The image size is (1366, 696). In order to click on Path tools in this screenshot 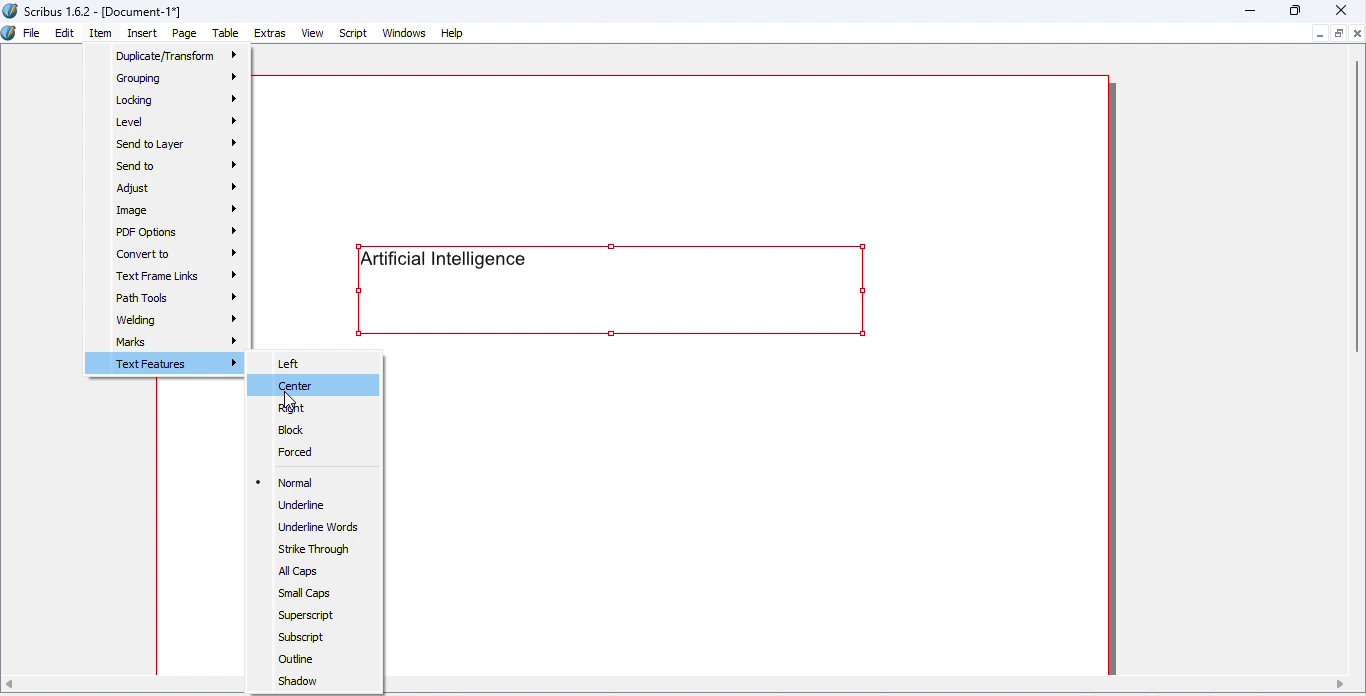, I will do `click(180, 298)`.